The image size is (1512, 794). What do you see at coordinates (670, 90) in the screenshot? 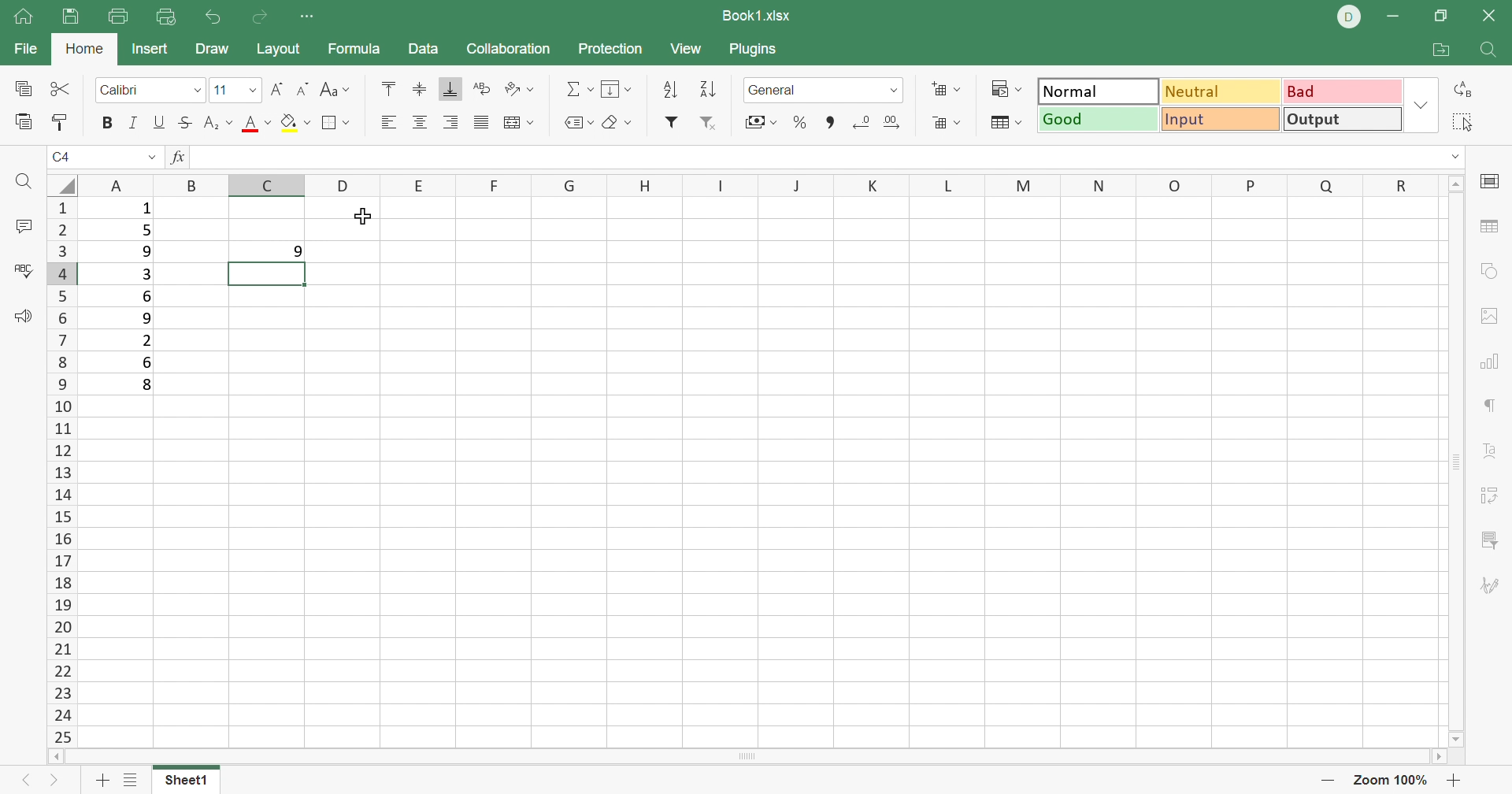
I see `Ascending order` at bounding box center [670, 90].